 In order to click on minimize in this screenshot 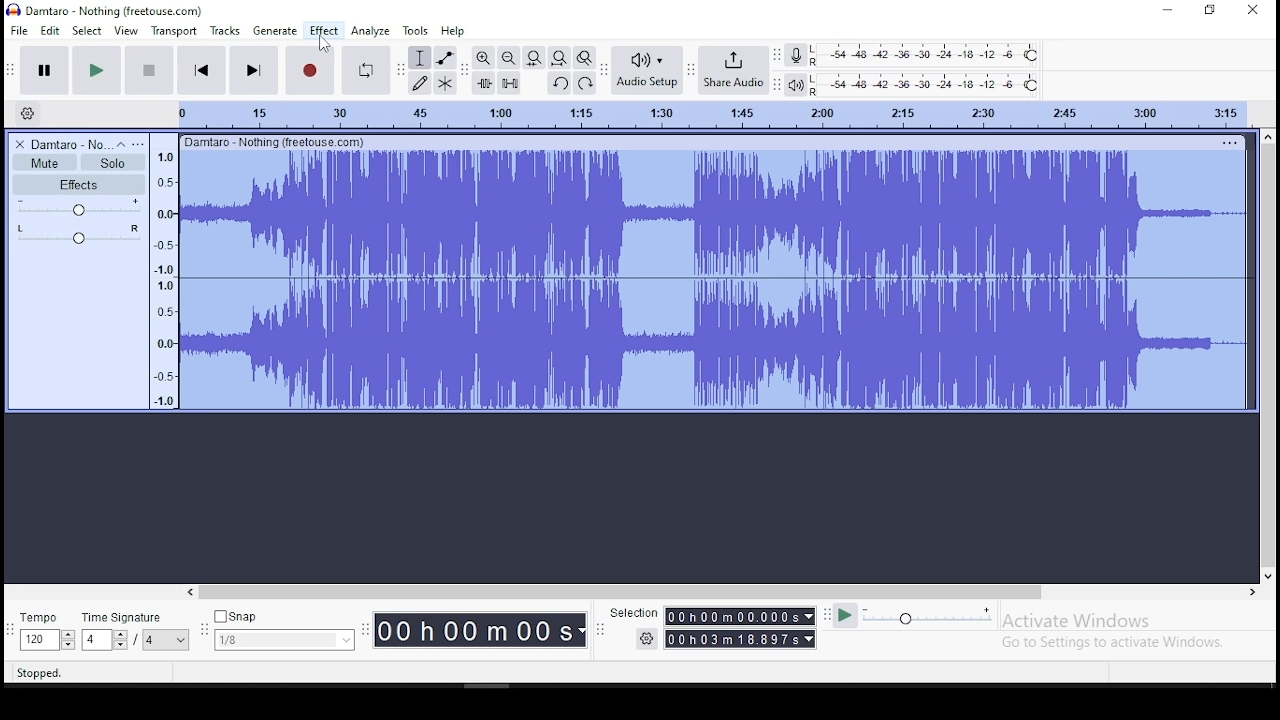, I will do `click(1164, 9)`.